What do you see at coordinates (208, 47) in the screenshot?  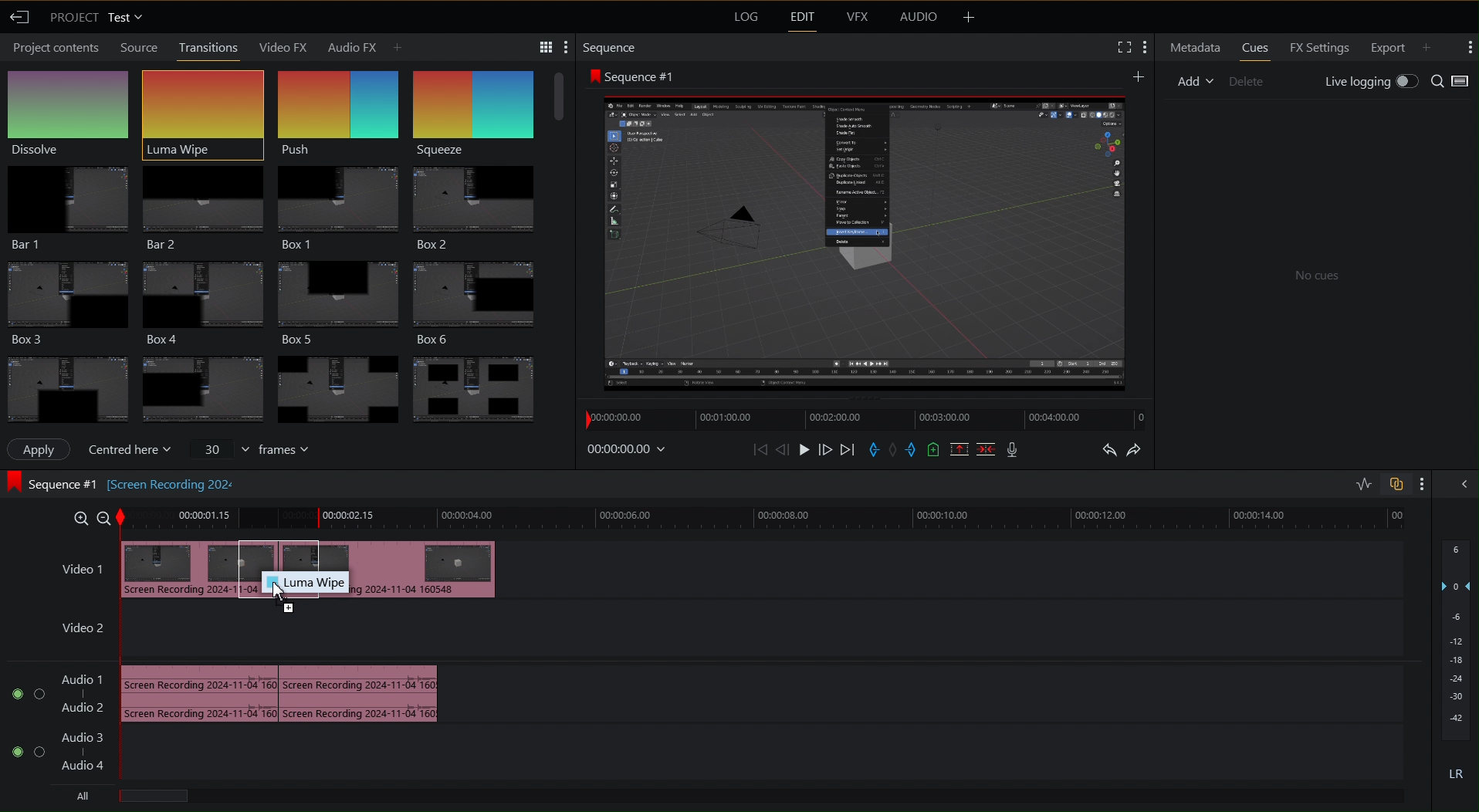 I see `Transitions` at bounding box center [208, 47].